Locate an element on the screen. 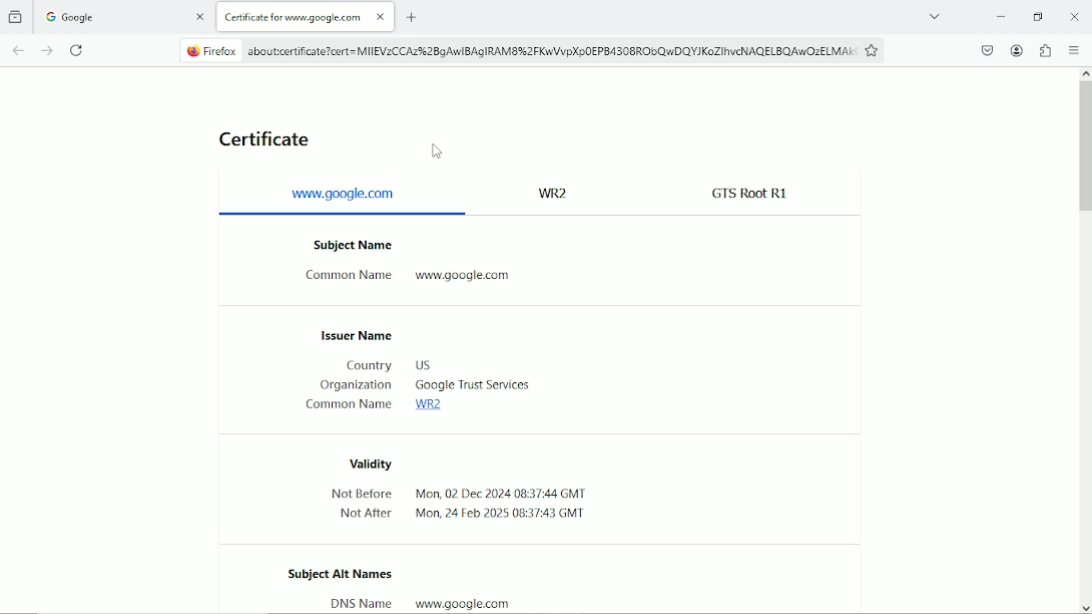  Not After is located at coordinates (364, 515).